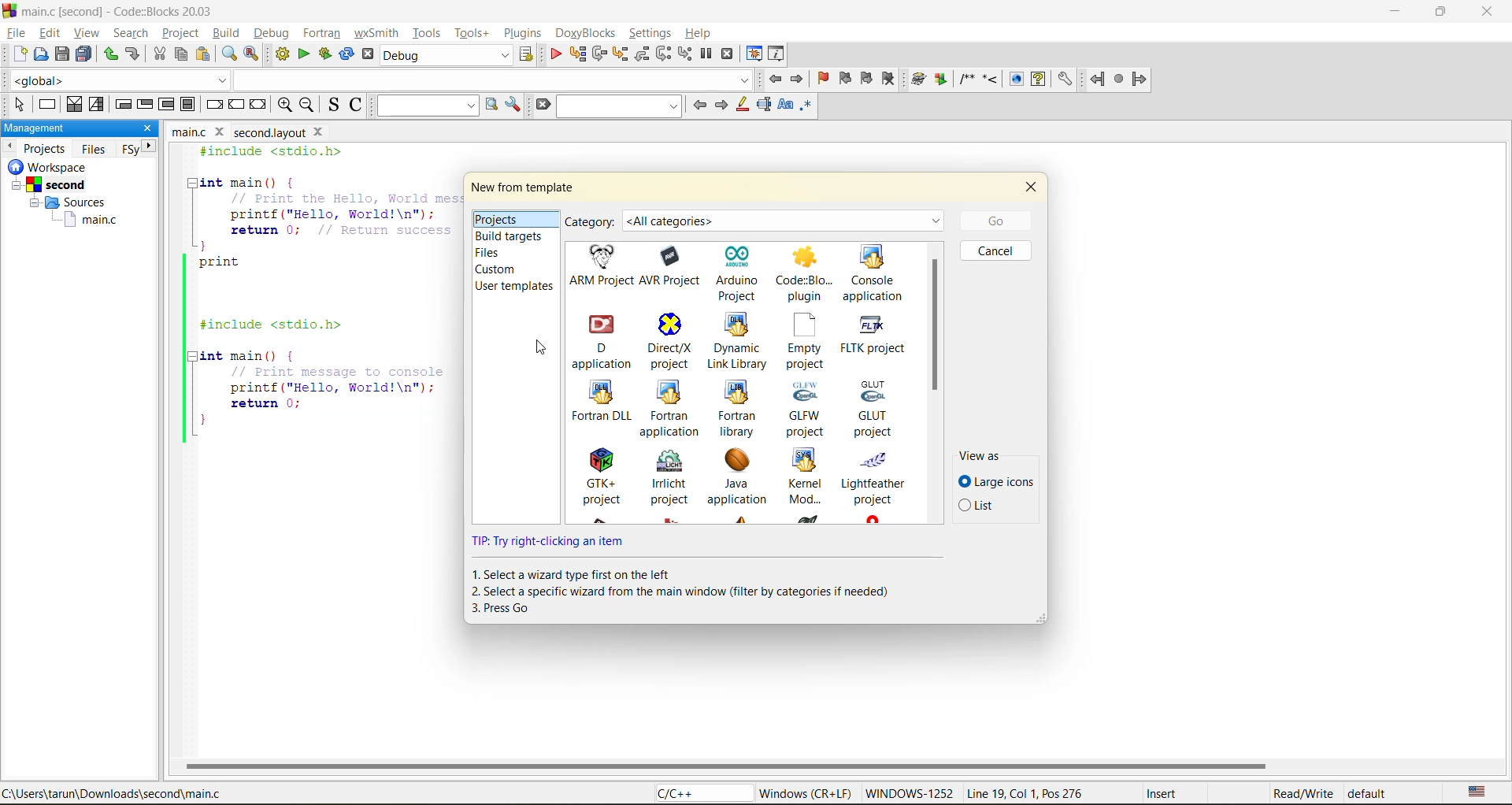 The height and width of the screenshot is (805, 1512). I want to click on step into instruction, so click(684, 53).